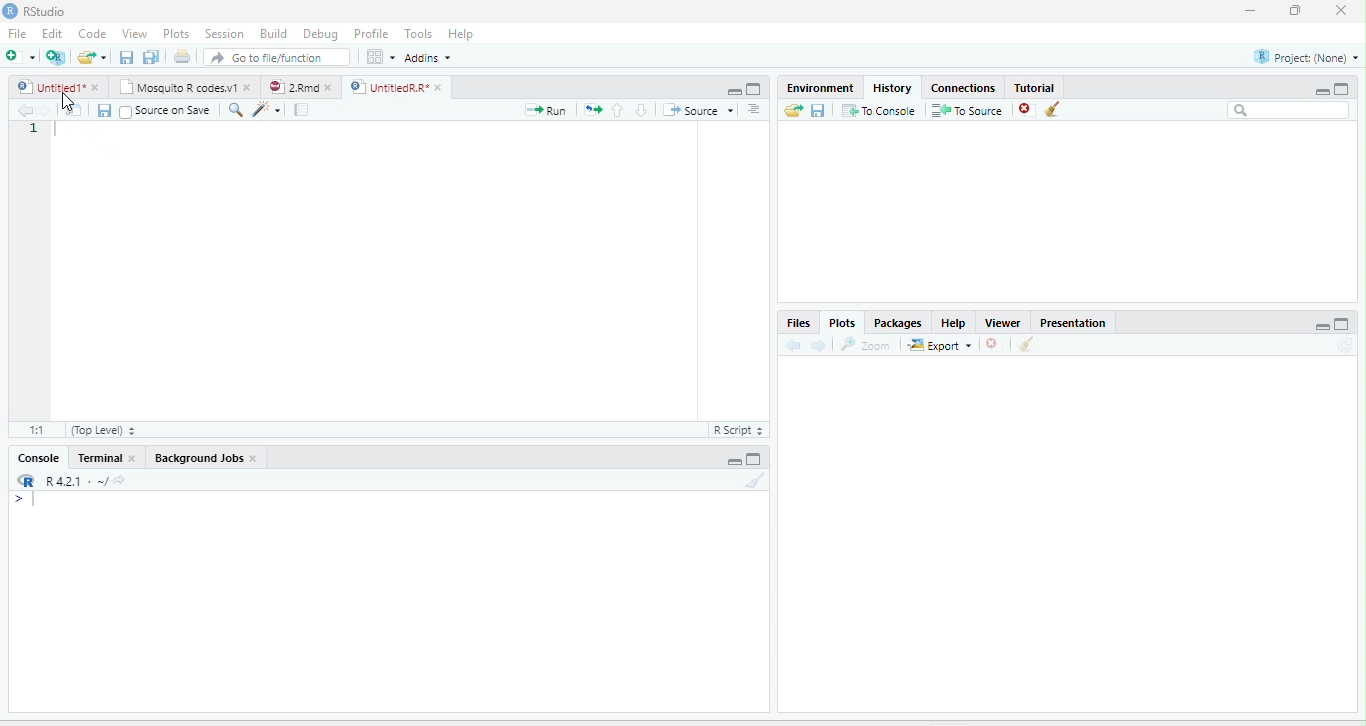  Describe the element at coordinates (822, 87) in the screenshot. I see `Environment` at that location.